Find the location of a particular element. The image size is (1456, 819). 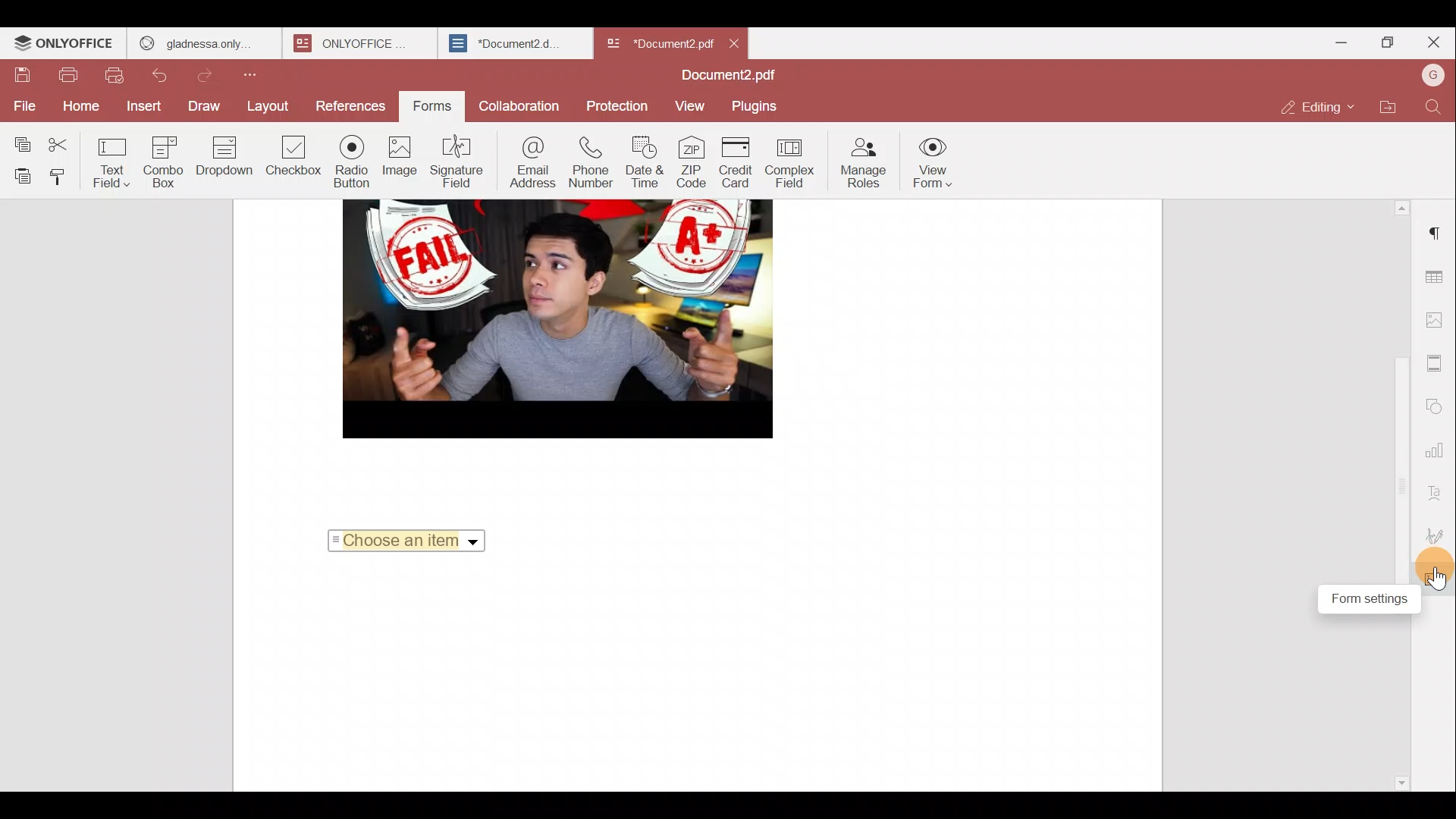

*Document2.d. is located at coordinates (505, 41).